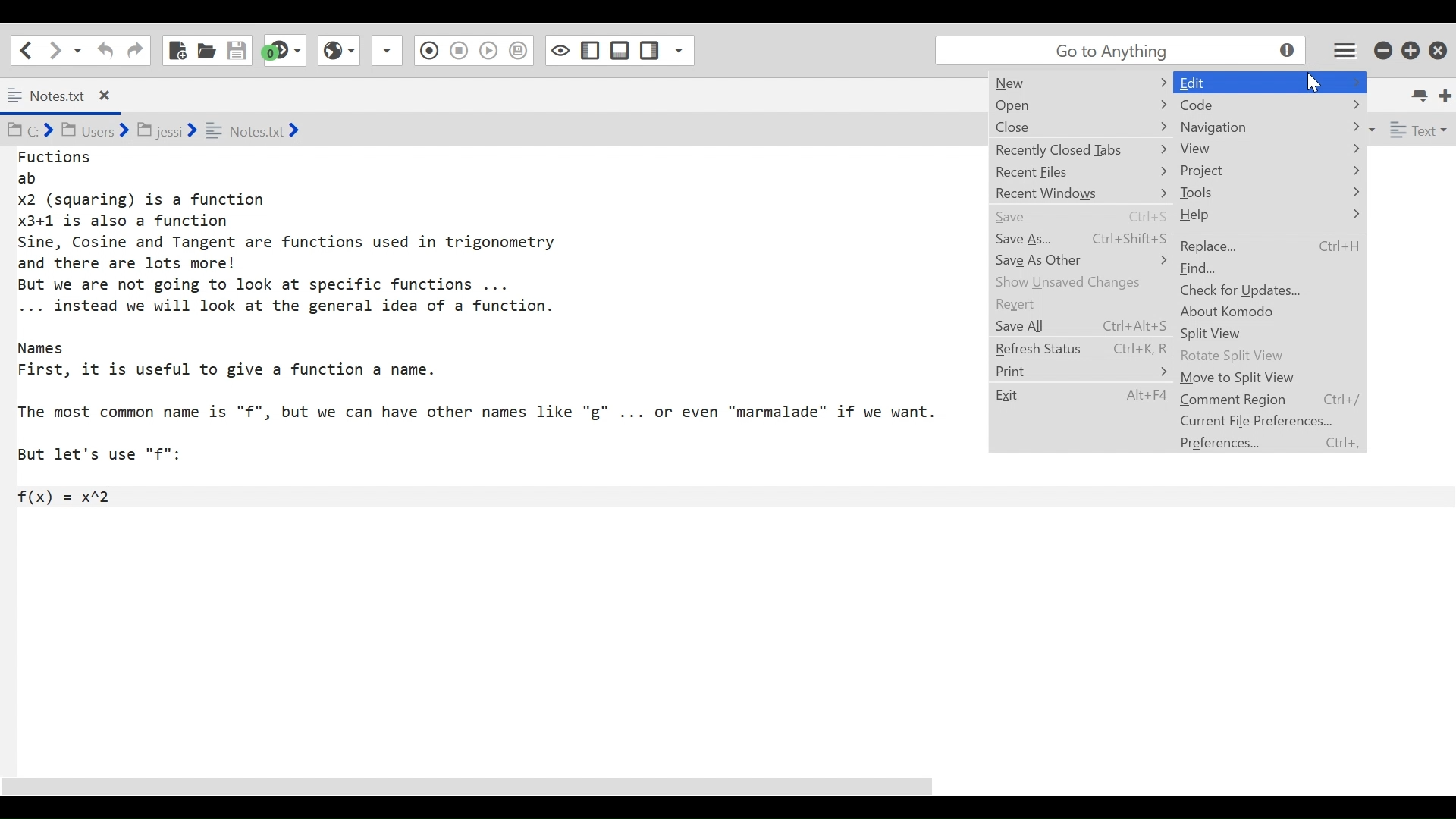  I want to click on Save Macro to Toolbox as Superscript, so click(491, 49).